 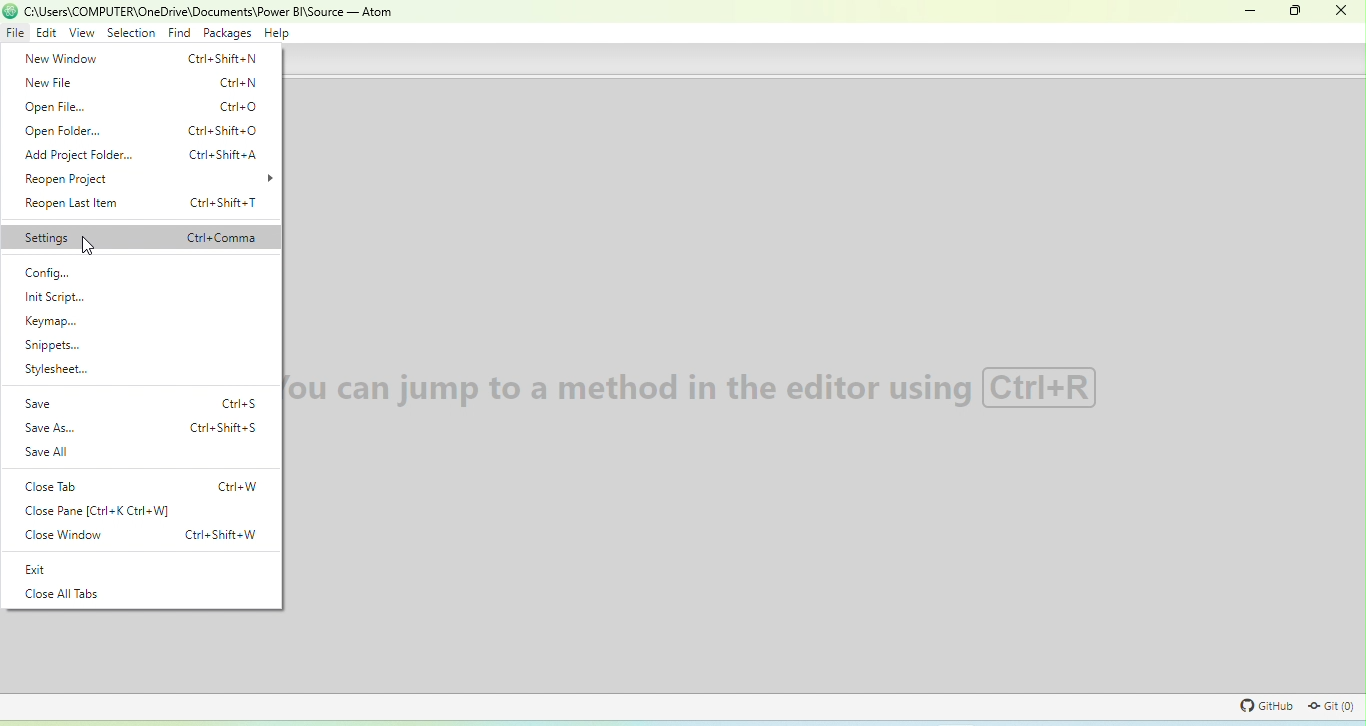 What do you see at coordinates (9, 11) in the screenshot?
I see `app icon` at bounding box center [9, 11].